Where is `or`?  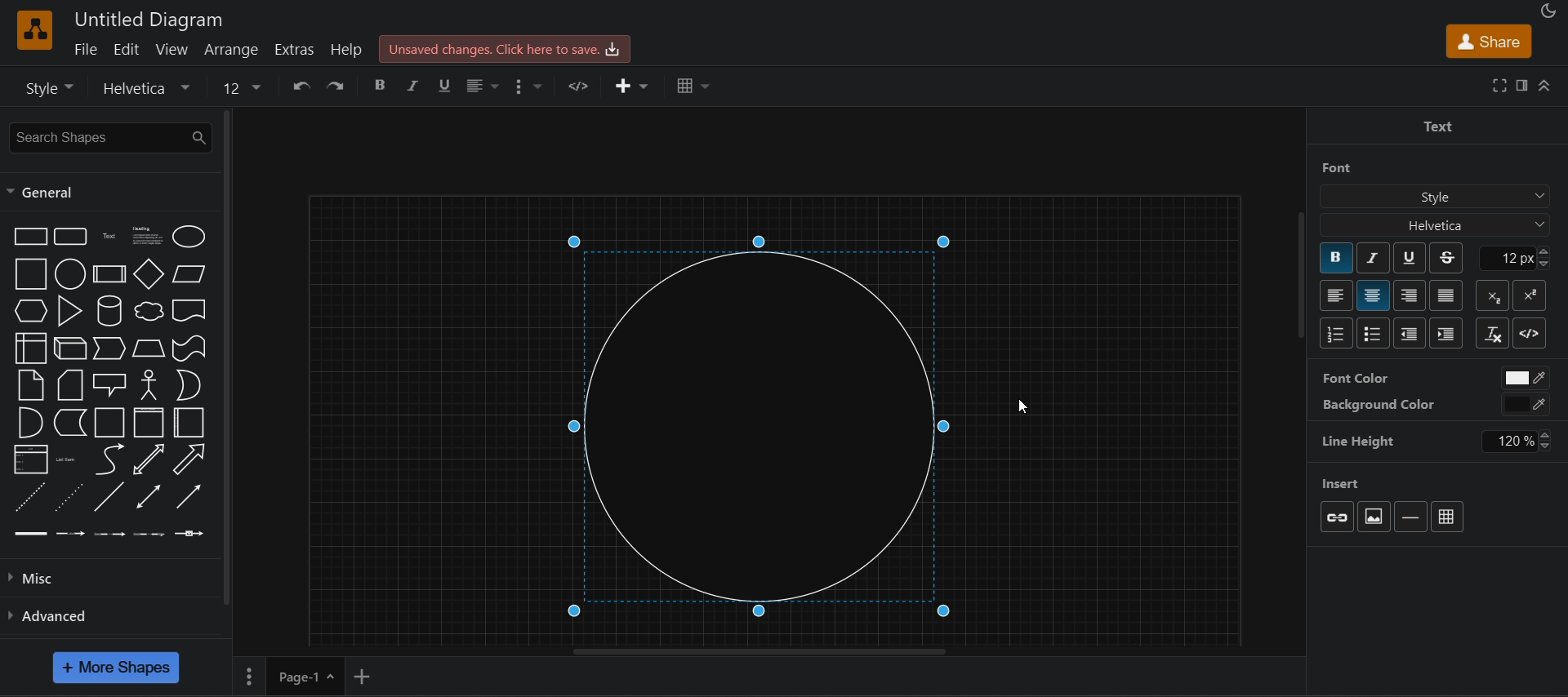 or is located at coordinates (194, 384).